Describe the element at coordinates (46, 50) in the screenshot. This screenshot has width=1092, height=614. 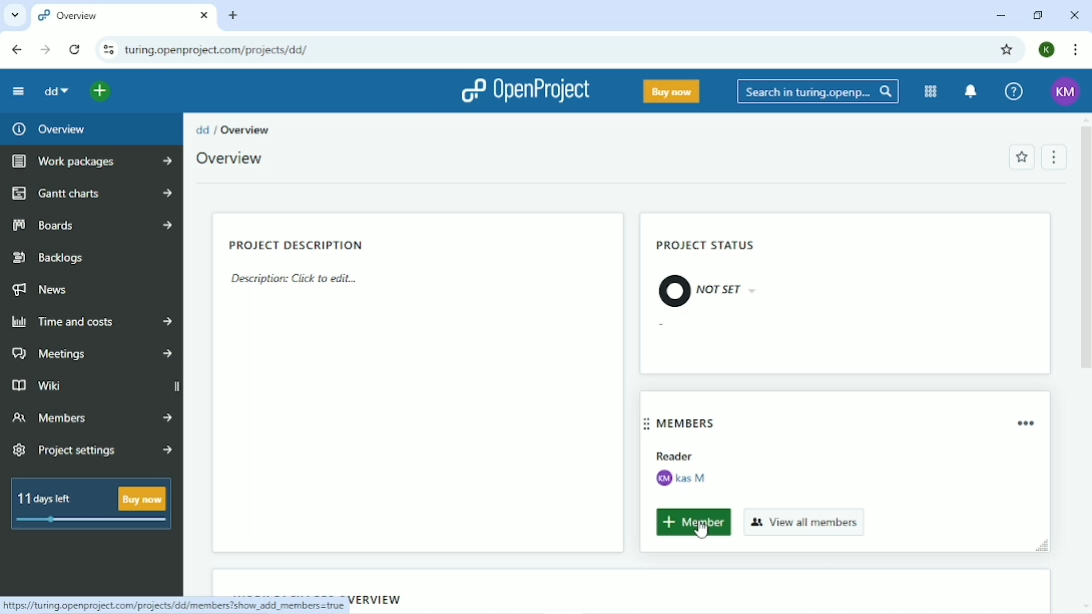
I see `Forward` at that location.